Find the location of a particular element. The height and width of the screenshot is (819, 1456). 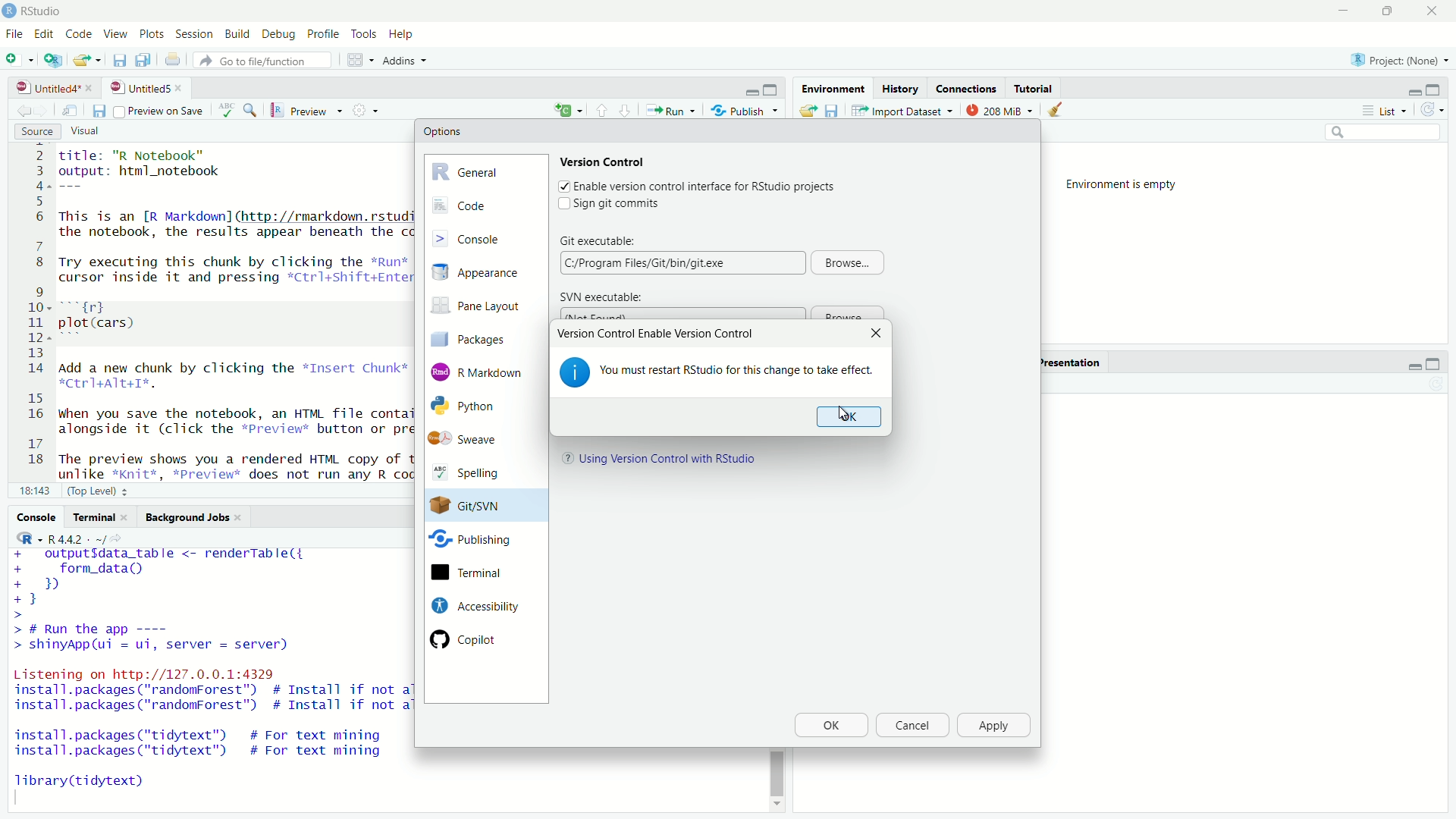

vertical scrollbar is located at coordinates (777, 773).